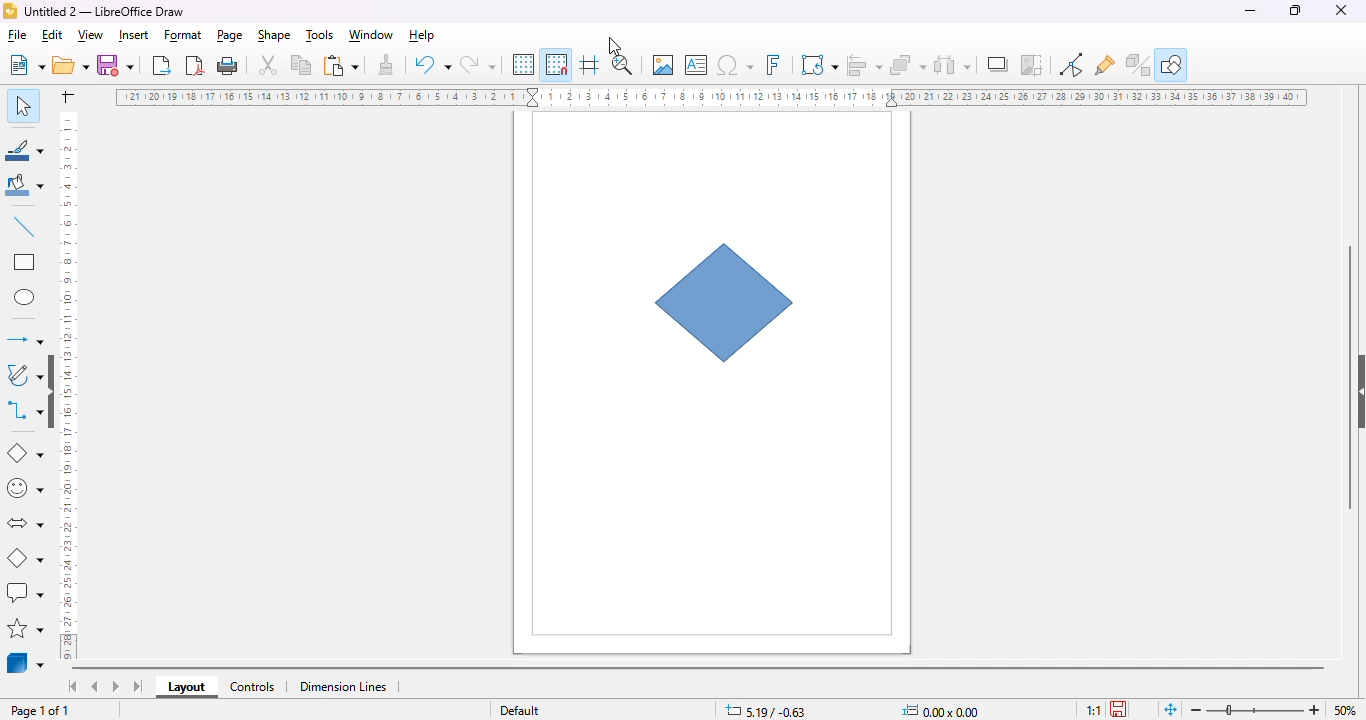  What do you see at coordinates (590, 65) in the screenshot?
I see `helplines while moving` at bounding box center [590, 65].